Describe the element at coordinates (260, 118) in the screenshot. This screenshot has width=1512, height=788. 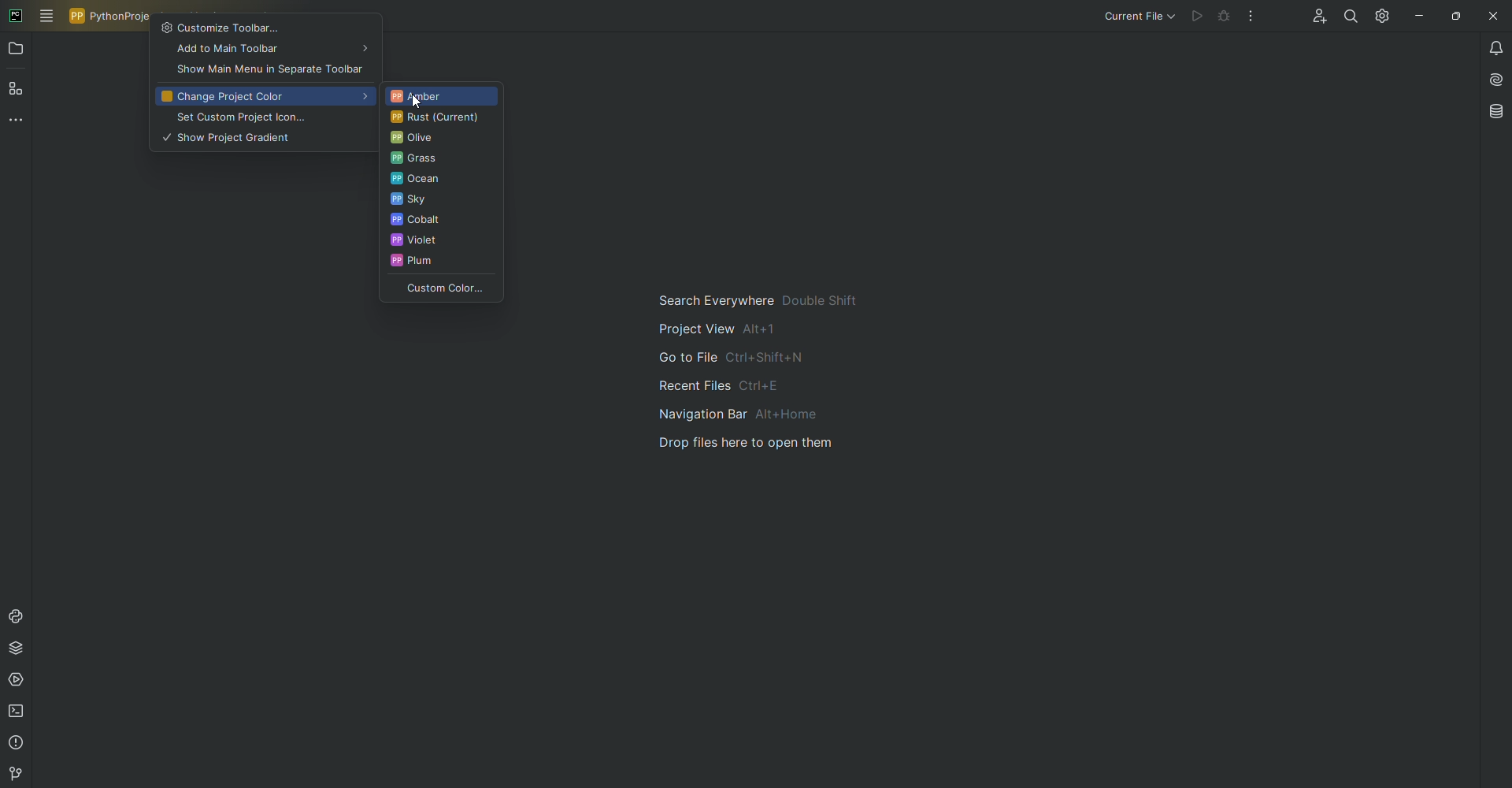
I see `Set Custom Icon` at that location.